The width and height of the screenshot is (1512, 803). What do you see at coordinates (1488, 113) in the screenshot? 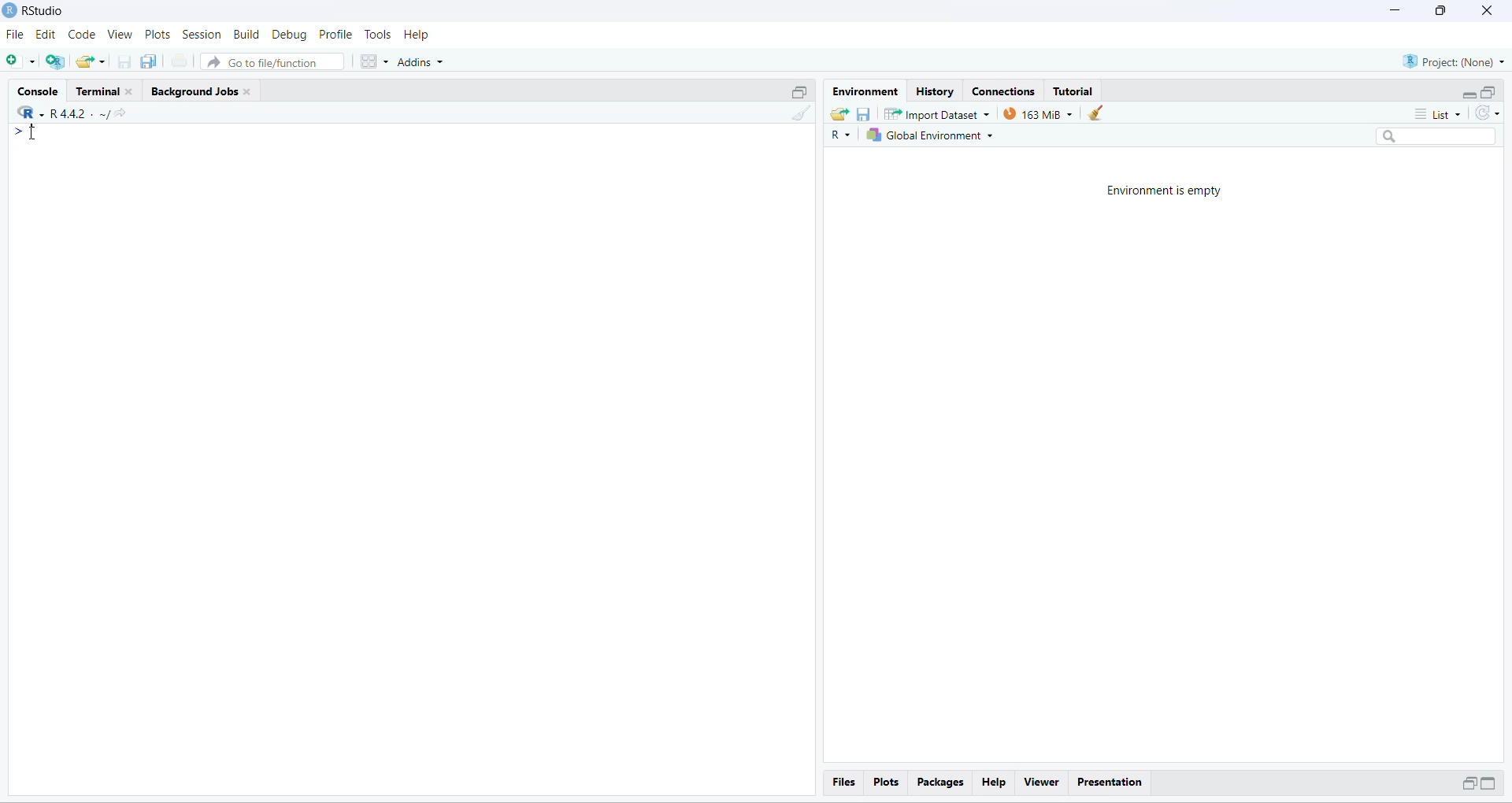
I see `refresh` at bounding box center [1488, 113].